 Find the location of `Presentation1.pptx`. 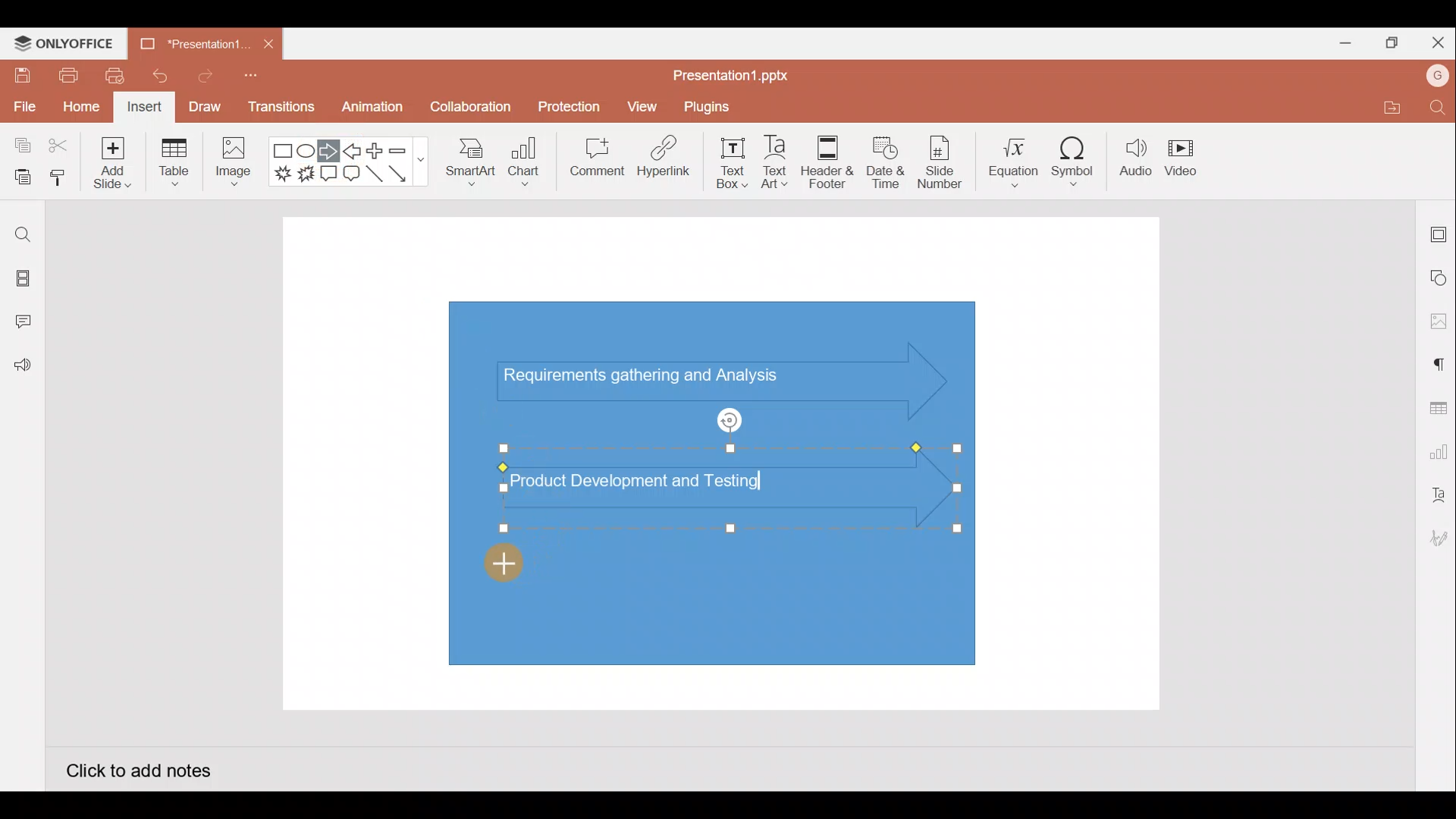

Presentation1.pptx is located at coordinates (736, 71).